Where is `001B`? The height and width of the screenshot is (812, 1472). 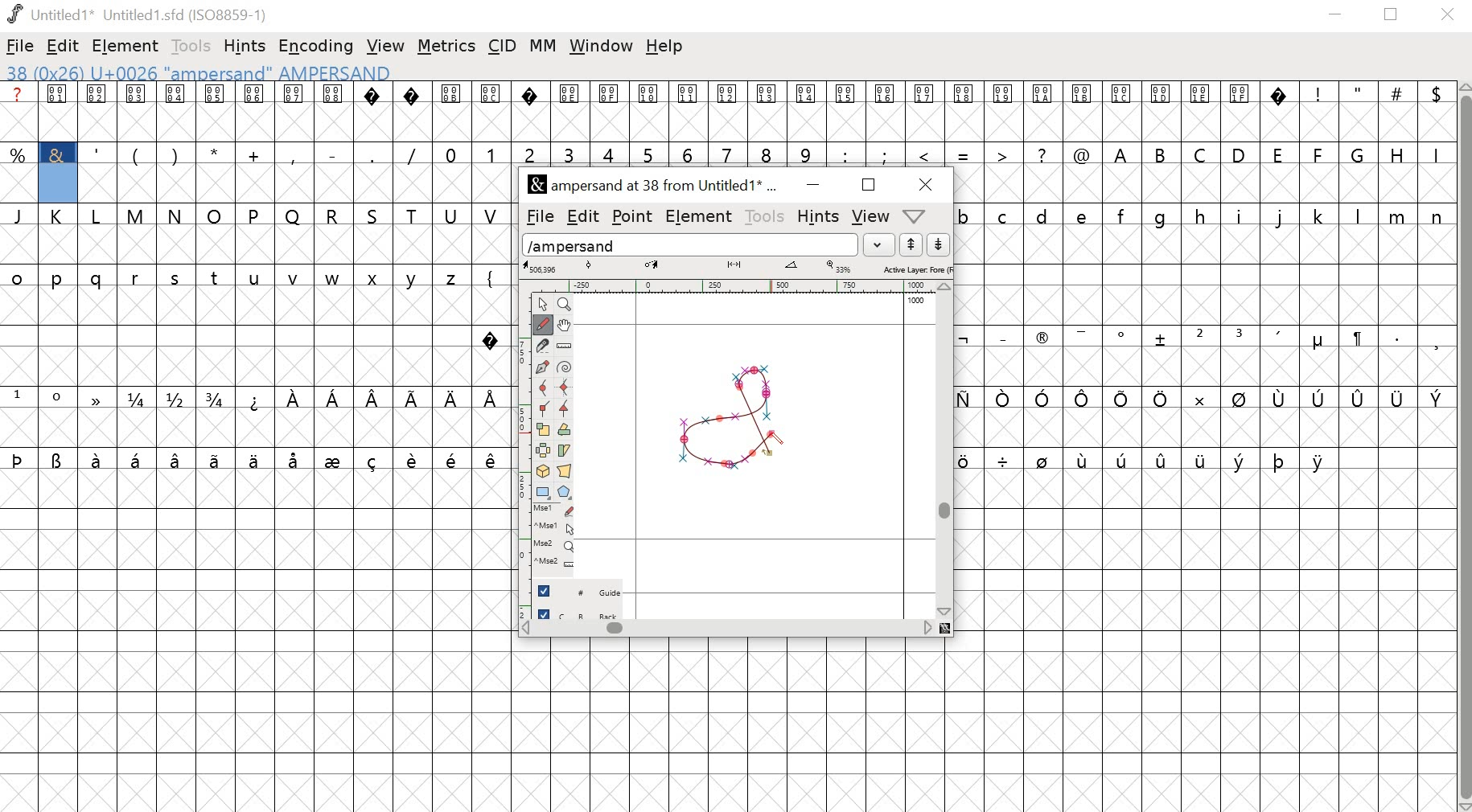
001B is located at coordinates (1079, 111).